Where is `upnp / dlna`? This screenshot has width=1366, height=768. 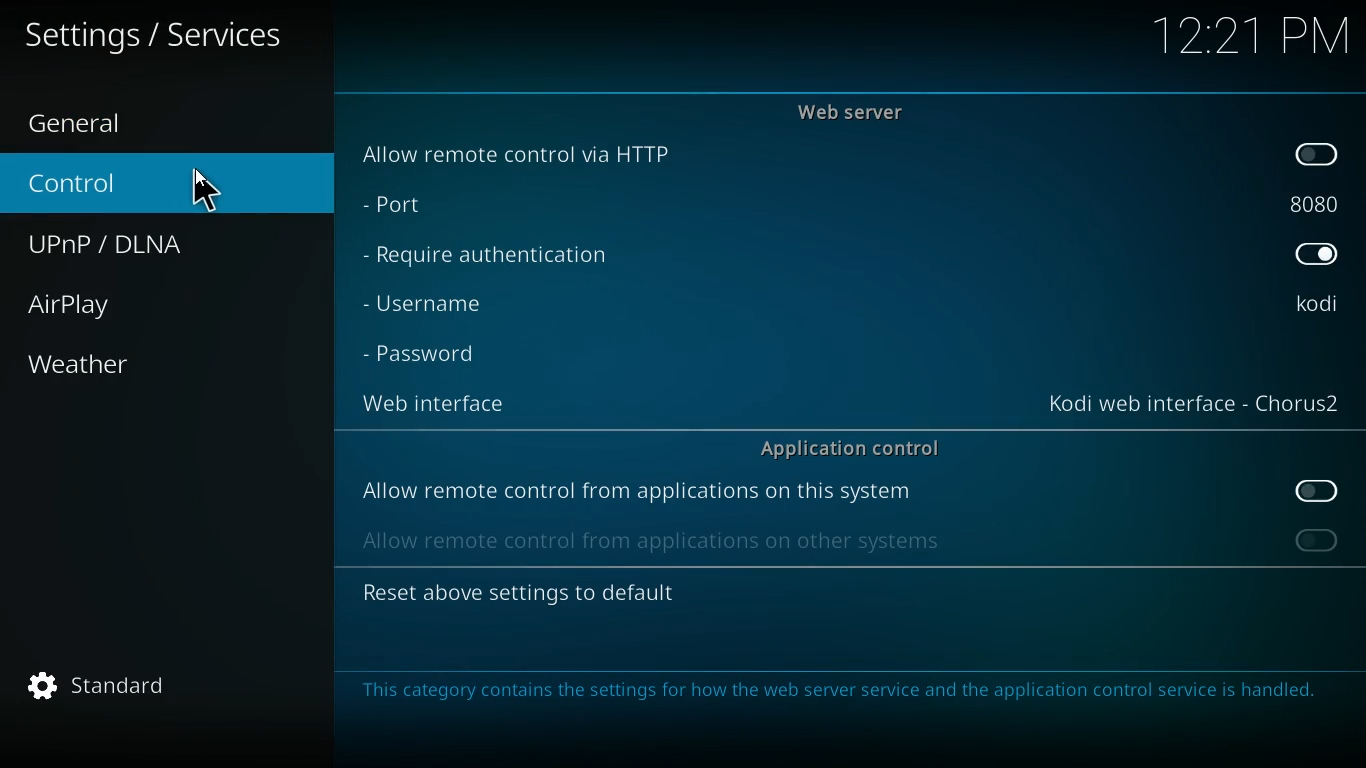
upnp / dlna is located at coordinates (161, 245).